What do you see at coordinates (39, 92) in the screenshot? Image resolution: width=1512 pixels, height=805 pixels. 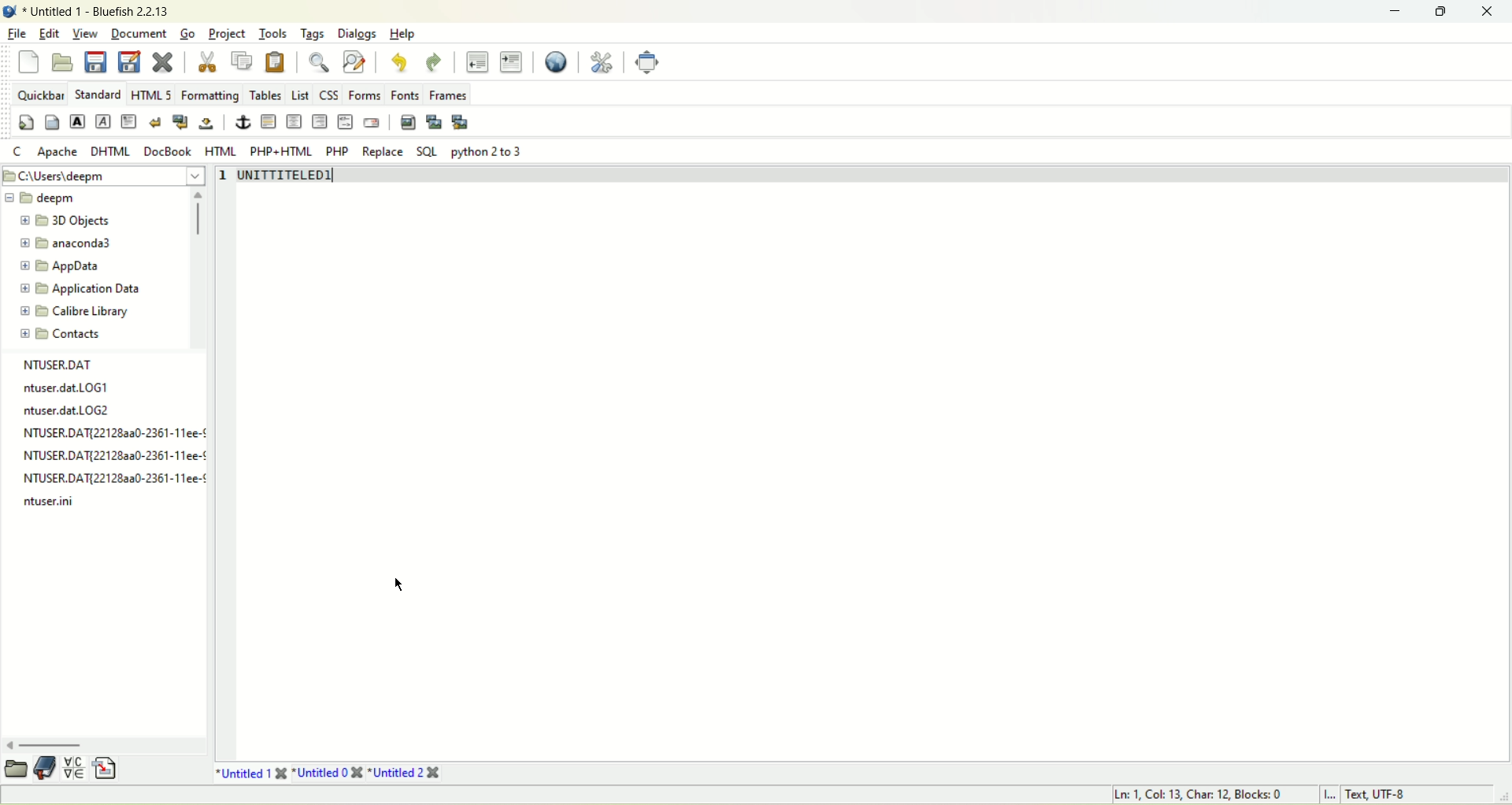 I see `quickbar` at bounding box center [39, 92].